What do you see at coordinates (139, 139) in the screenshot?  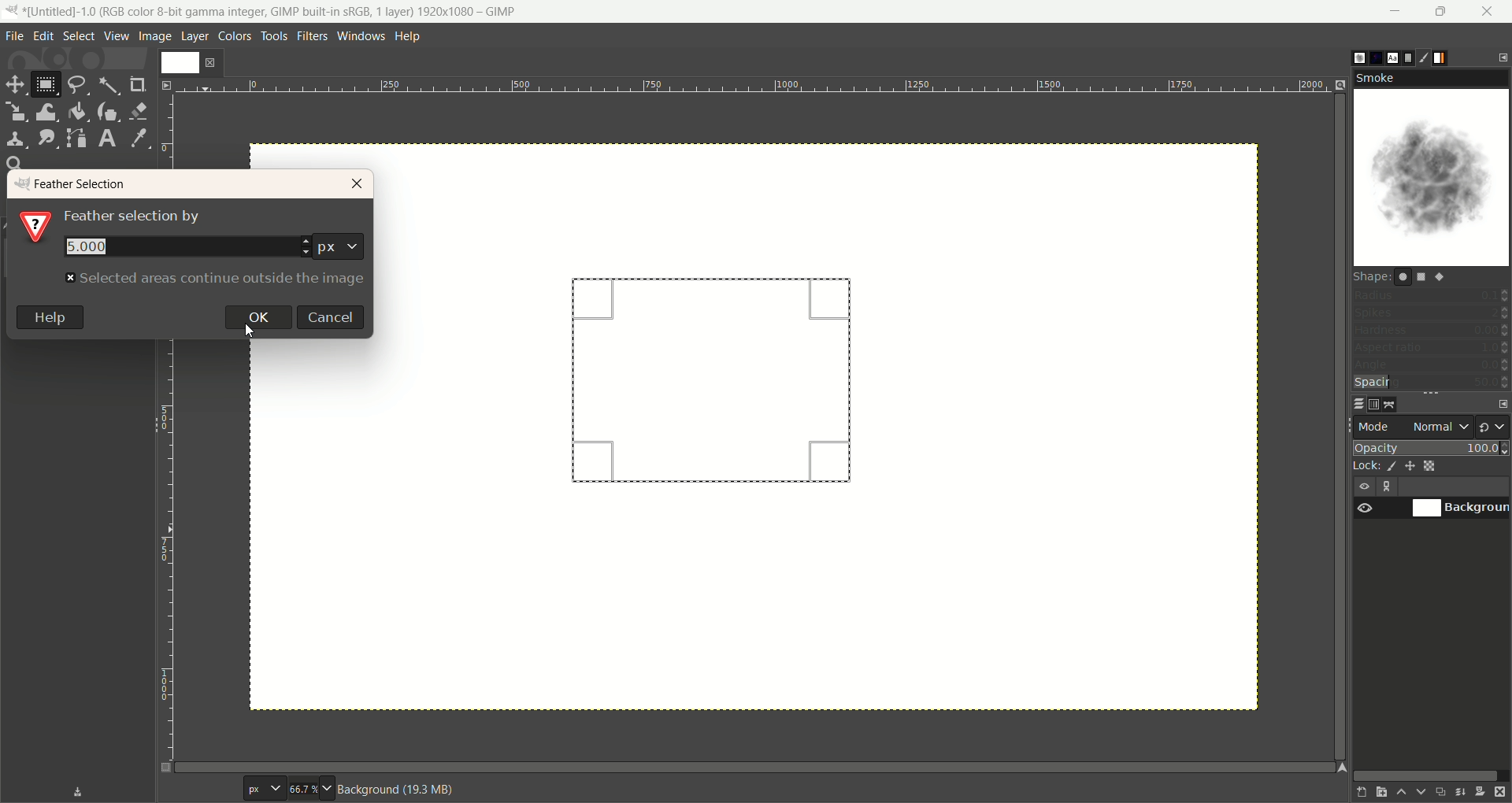 I see `color picker tool` at bounding box center [139, 139].